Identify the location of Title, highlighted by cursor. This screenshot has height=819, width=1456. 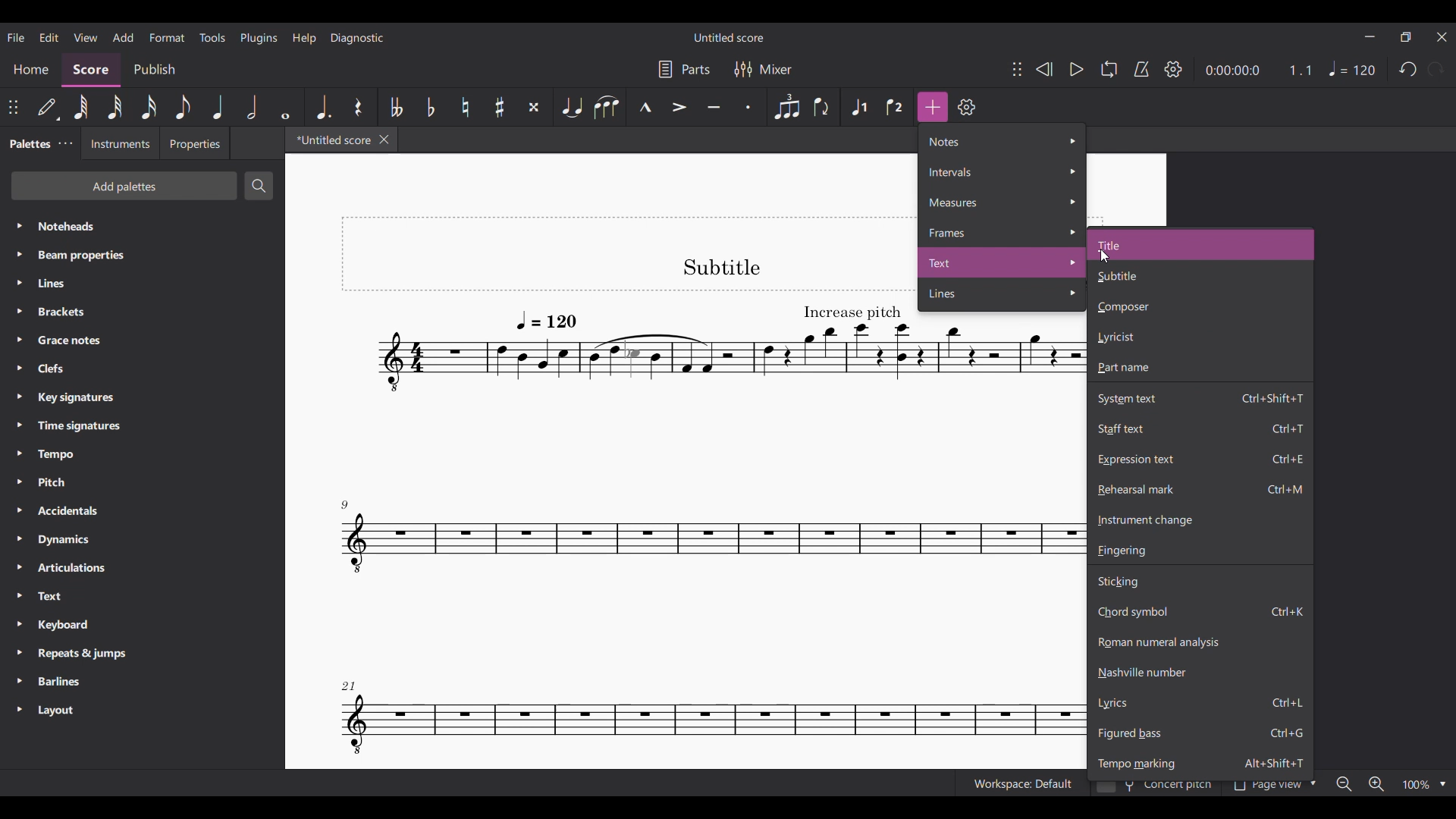
(1200, 245).